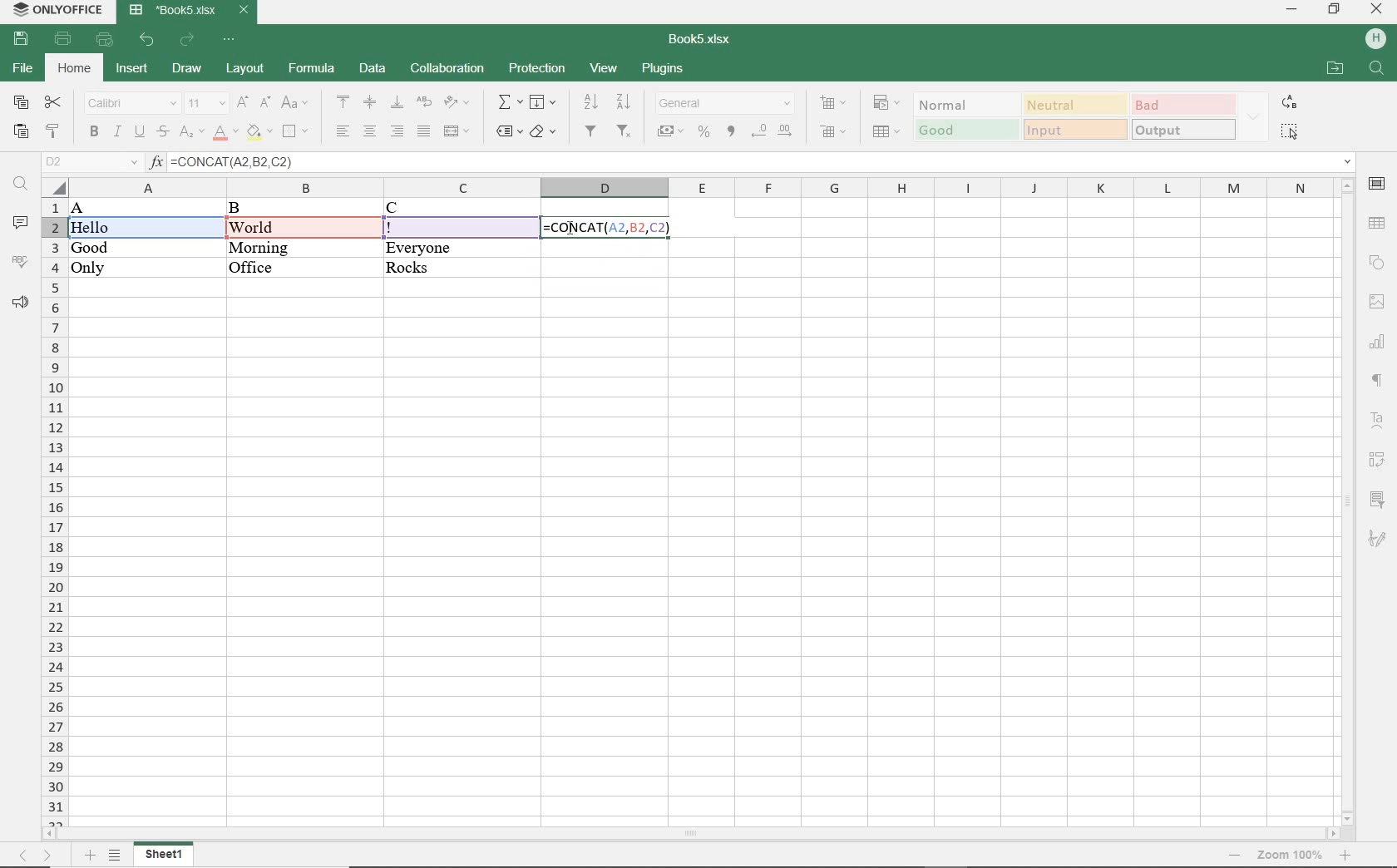 The image size is (1397, 868). Describe the element at coordinates (422, 102) in the screenshot. I see `WRAP TEXT` at that location.